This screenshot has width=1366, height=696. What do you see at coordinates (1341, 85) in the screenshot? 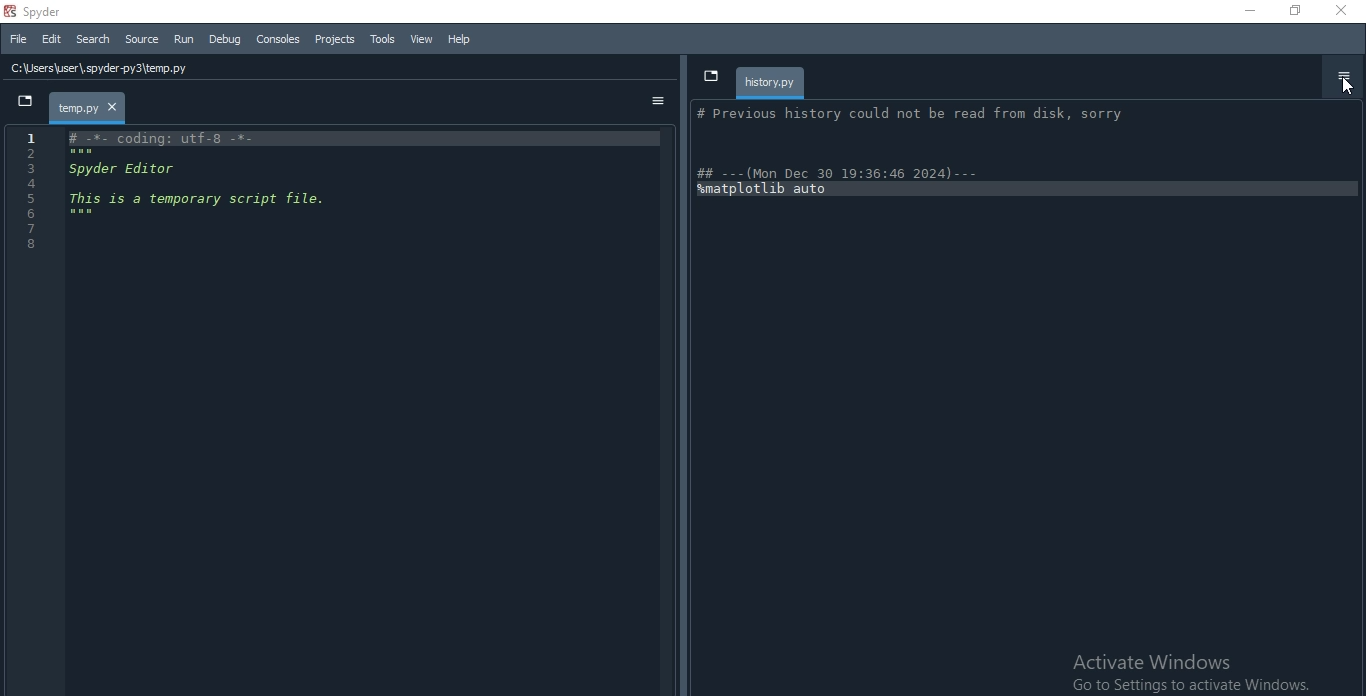
I see `Cursor options` at bounding box center [1341, 85].